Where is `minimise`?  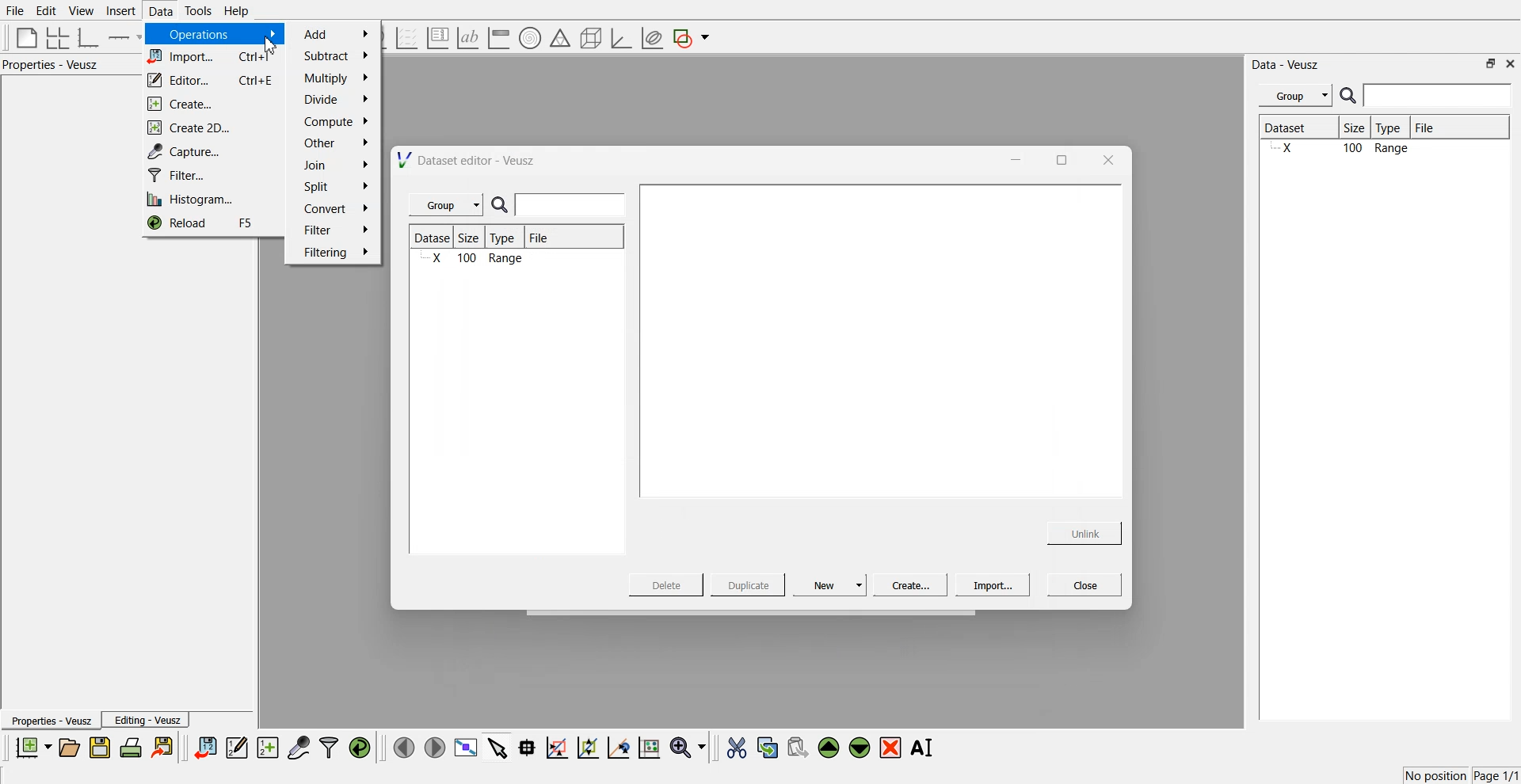
minimise is located at coordinates (1012, 158).